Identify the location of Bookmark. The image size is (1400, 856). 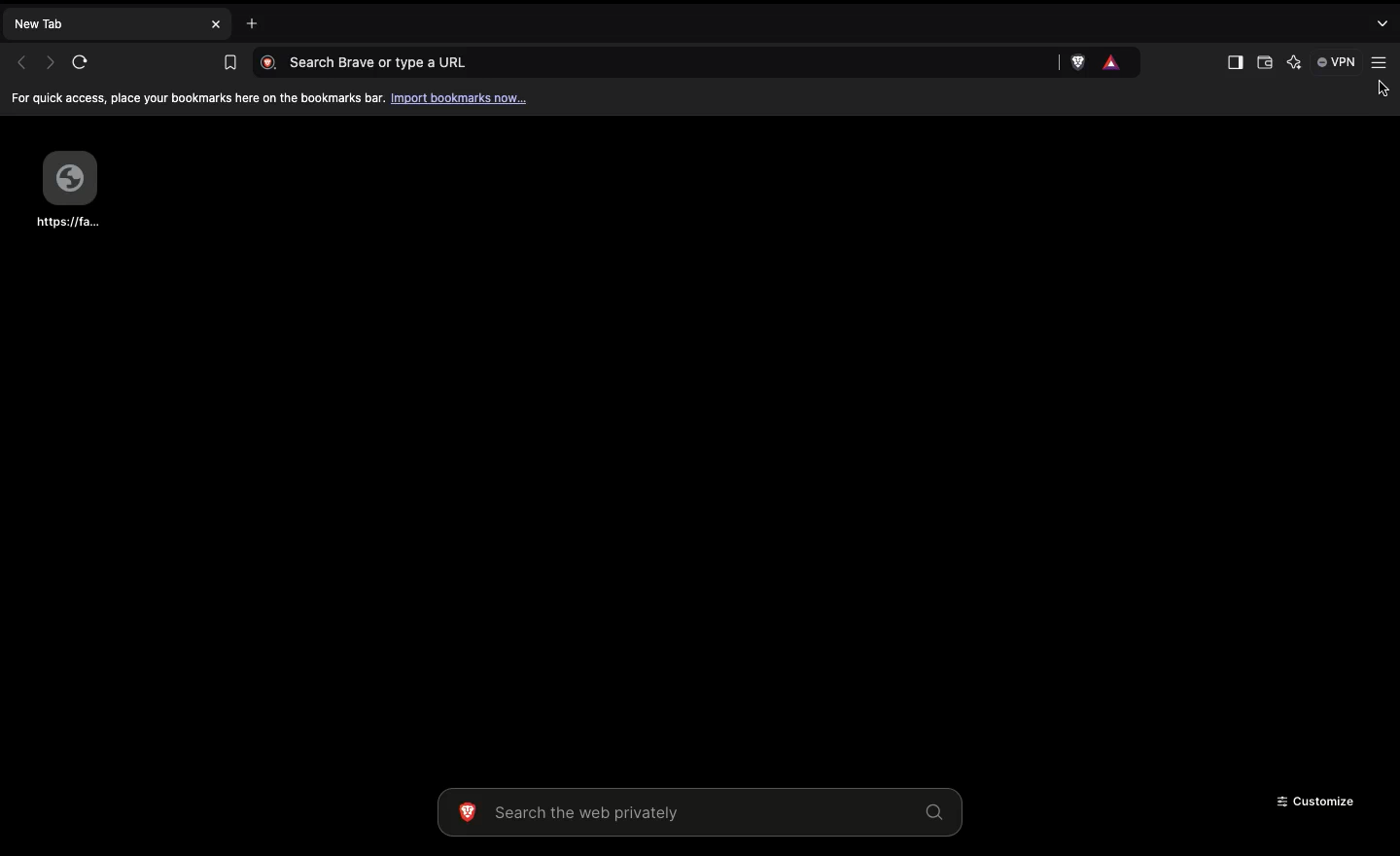
(226, 60).